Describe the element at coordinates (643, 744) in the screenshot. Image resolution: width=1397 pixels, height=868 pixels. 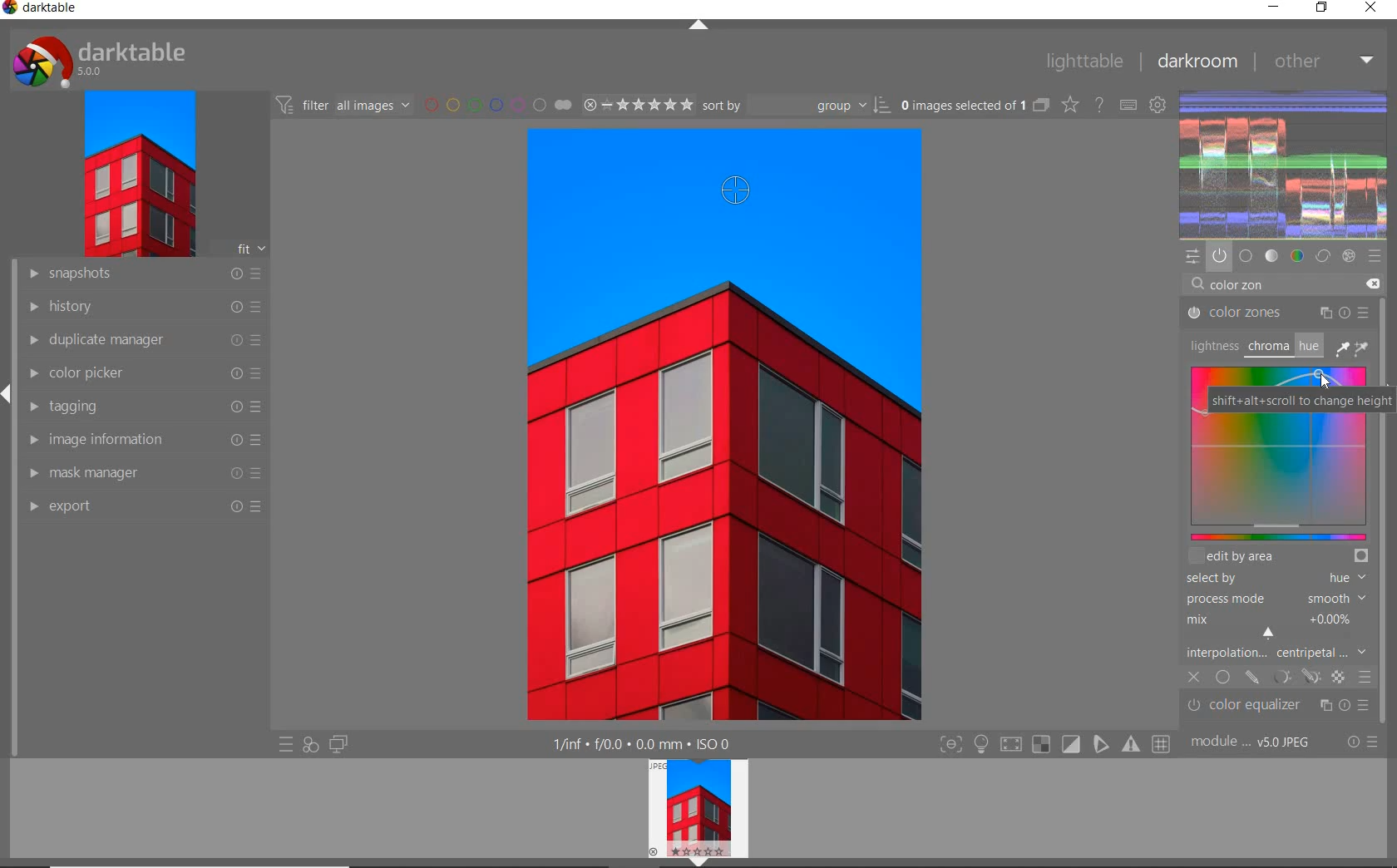
I see `display information` at that location.